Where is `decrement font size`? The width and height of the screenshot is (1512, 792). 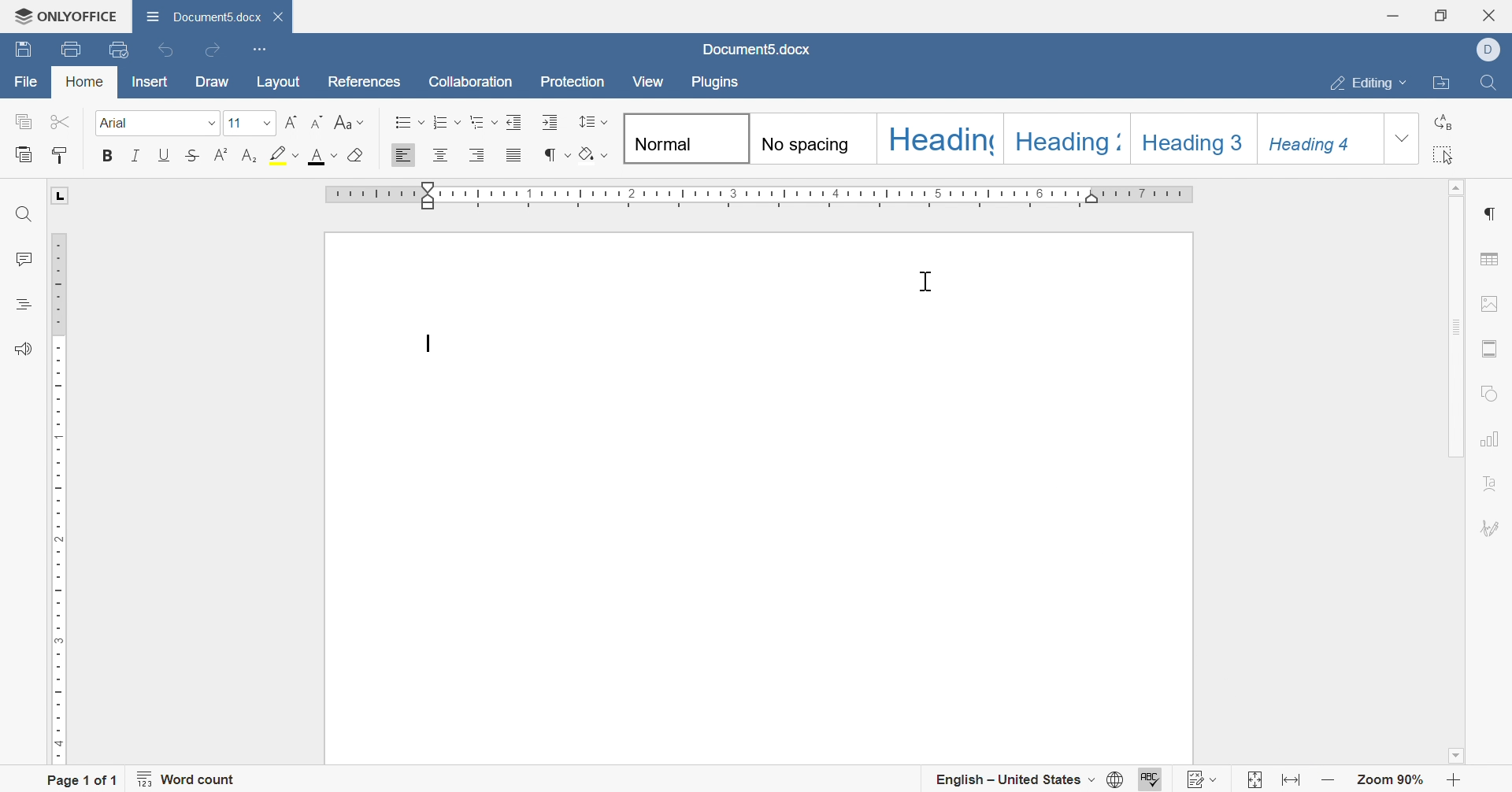
decrement font size is located at coordinates (318, 121).